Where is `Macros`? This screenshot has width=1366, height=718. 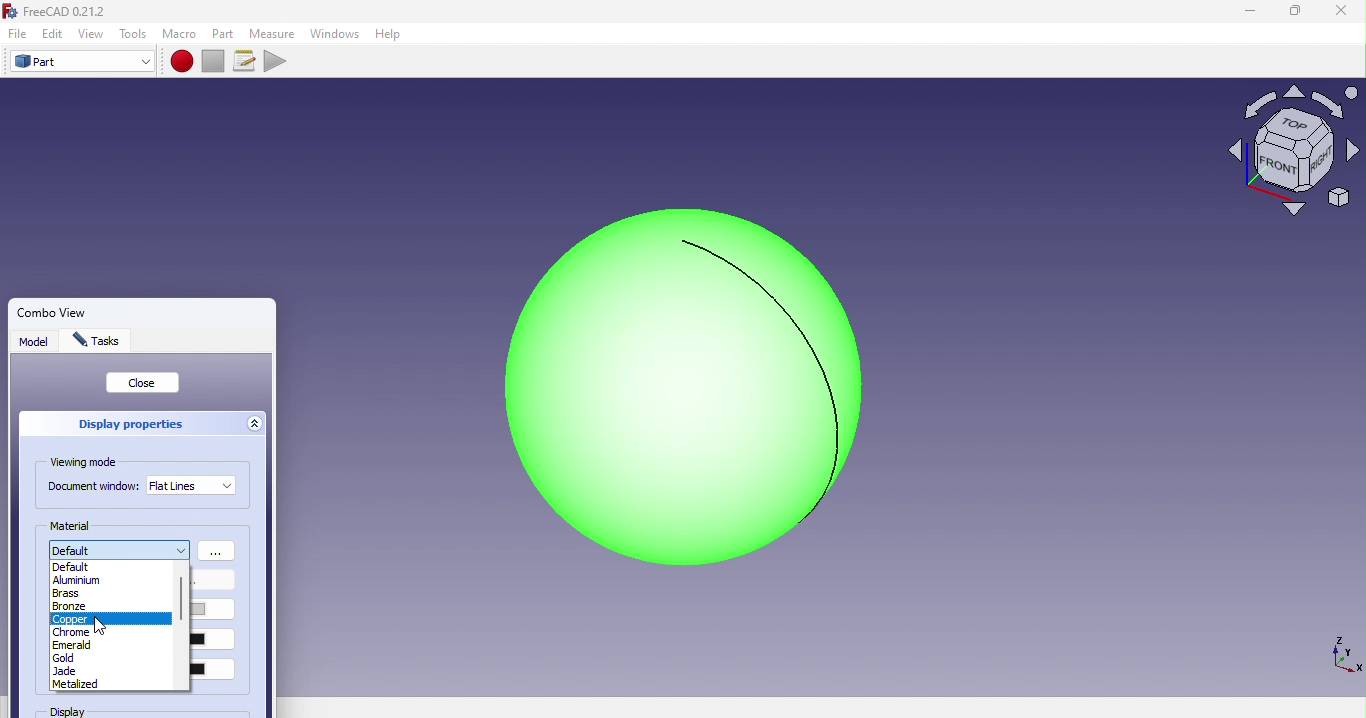 Macros is located at coordinates (247, 61).